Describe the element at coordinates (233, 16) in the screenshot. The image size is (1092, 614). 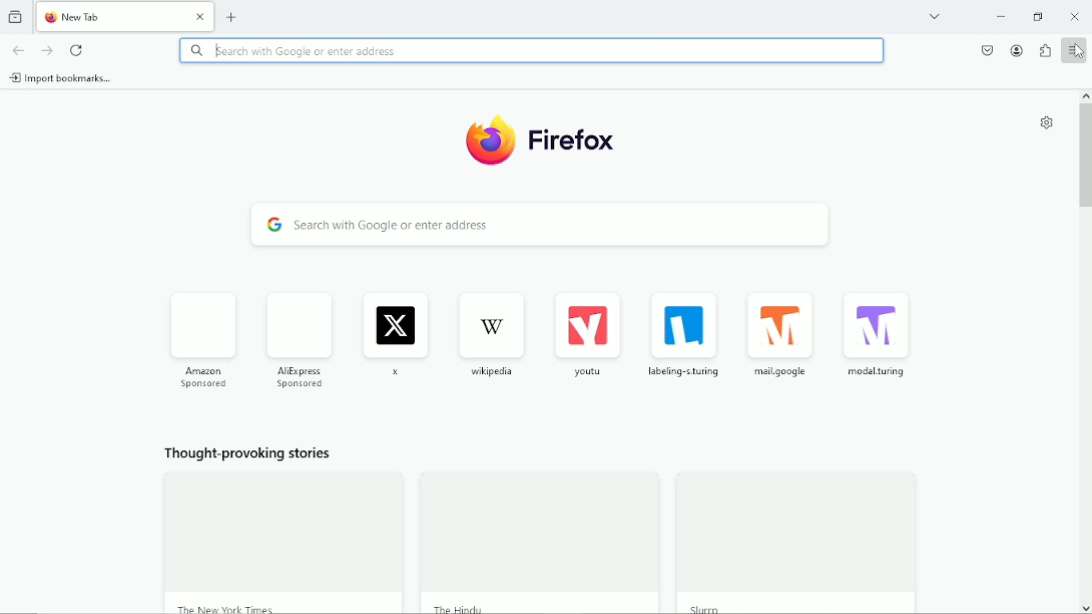
I see `New tab` at that location.